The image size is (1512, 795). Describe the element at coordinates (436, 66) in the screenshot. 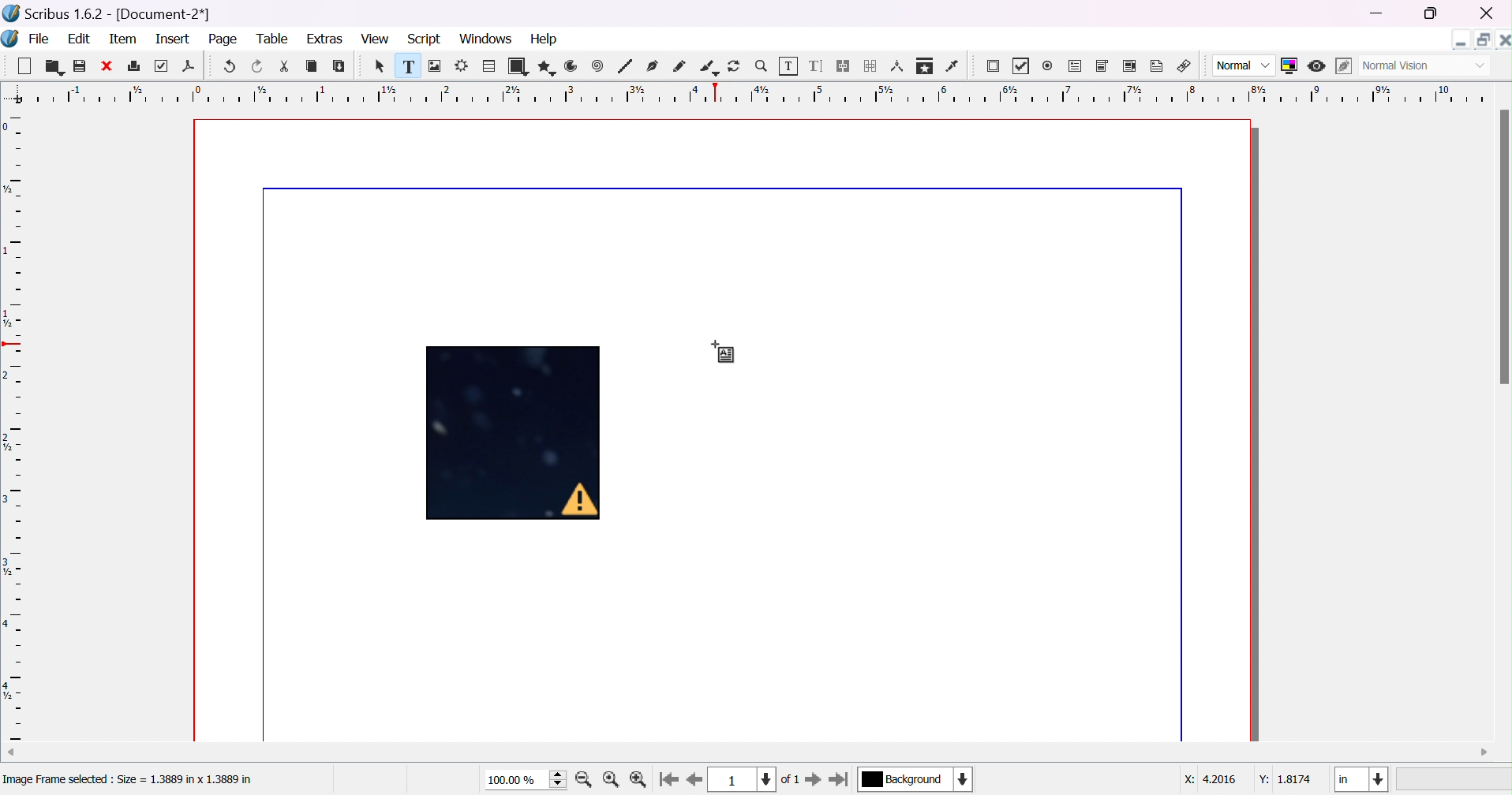

I see `image frame` at that location.